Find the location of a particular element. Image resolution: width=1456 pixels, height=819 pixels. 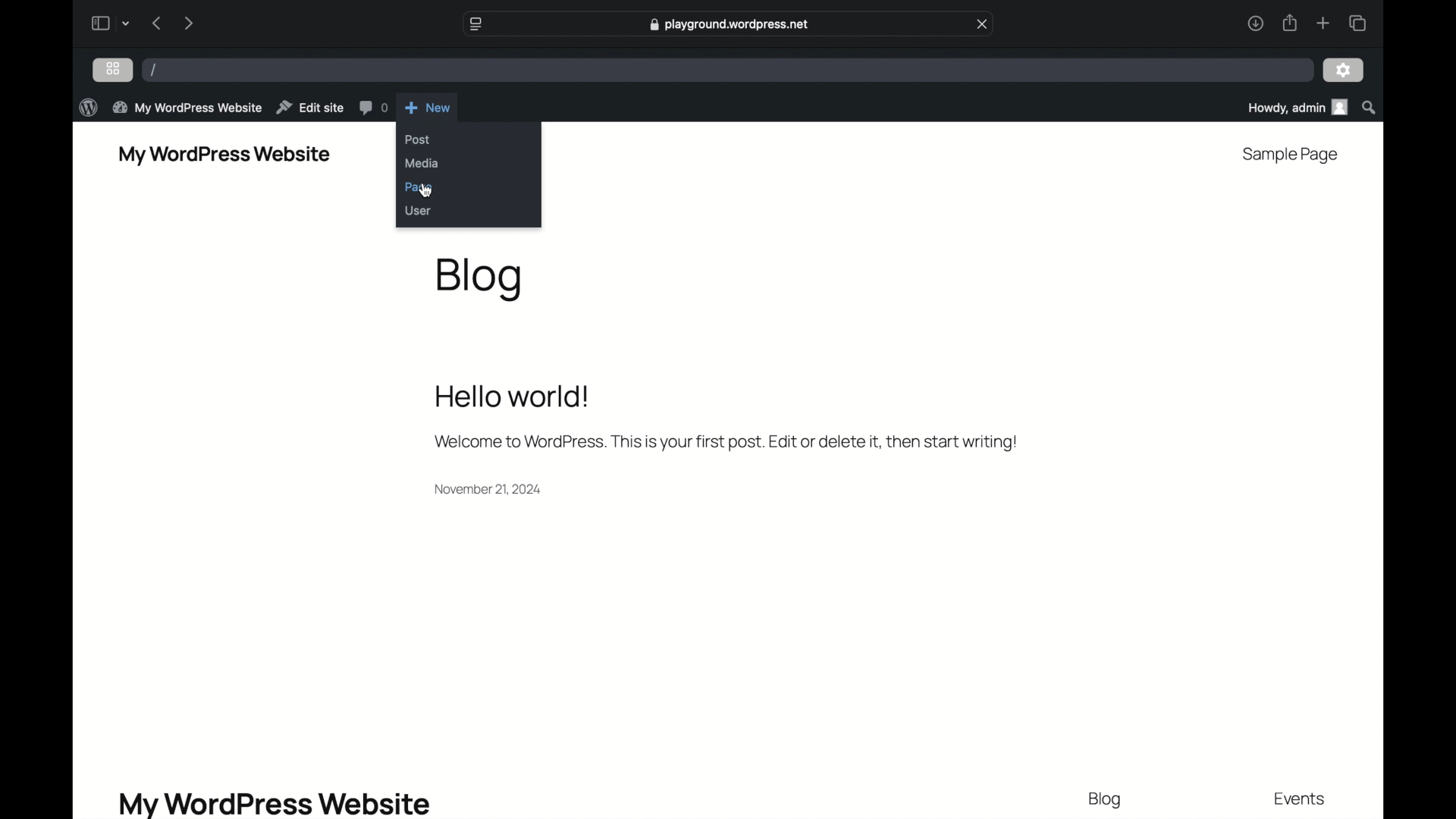

events is located at coordinates (1301, 800).